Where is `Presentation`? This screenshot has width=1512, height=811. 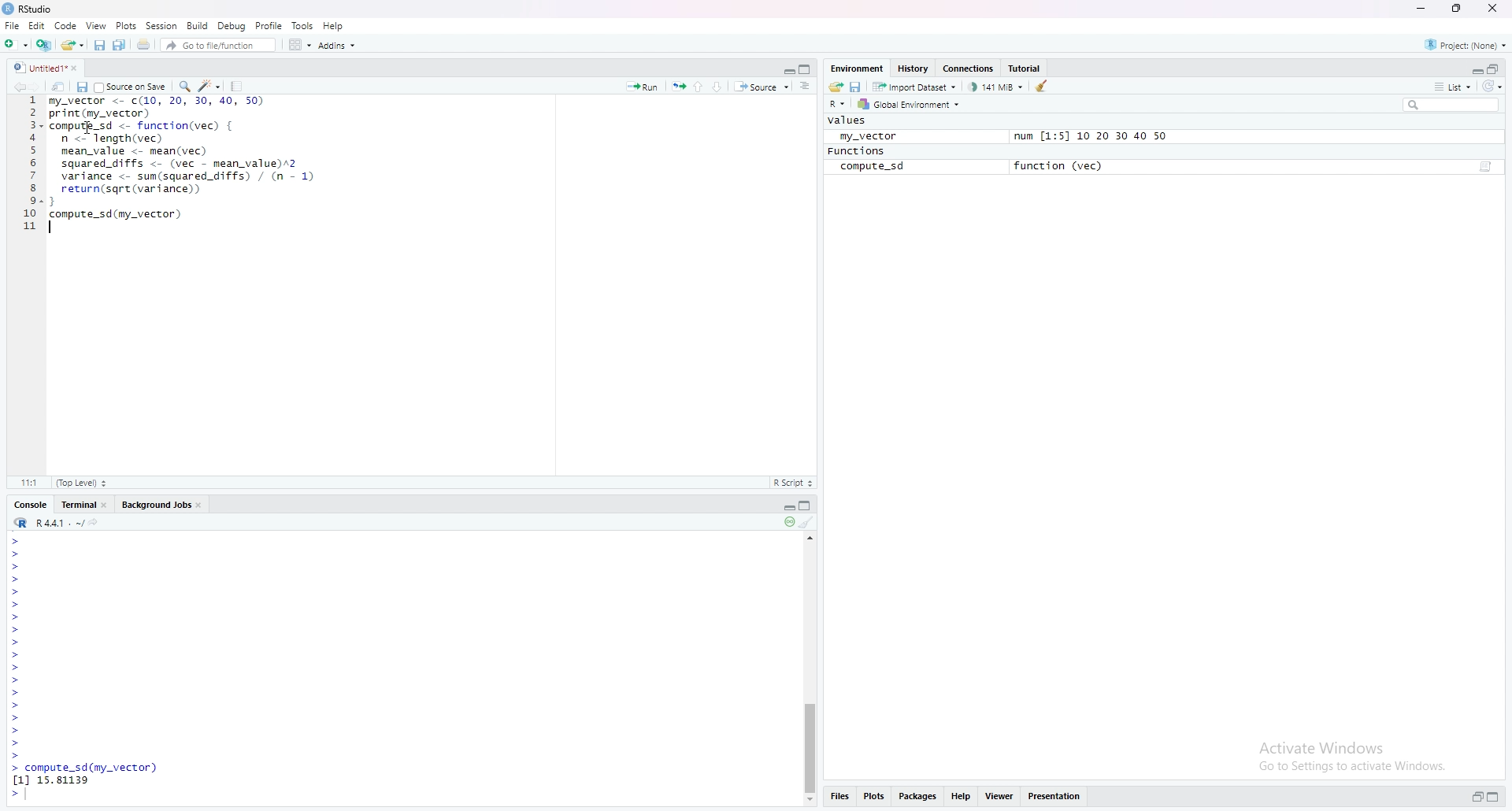 Presentation is located at coordinates (1054, 795).